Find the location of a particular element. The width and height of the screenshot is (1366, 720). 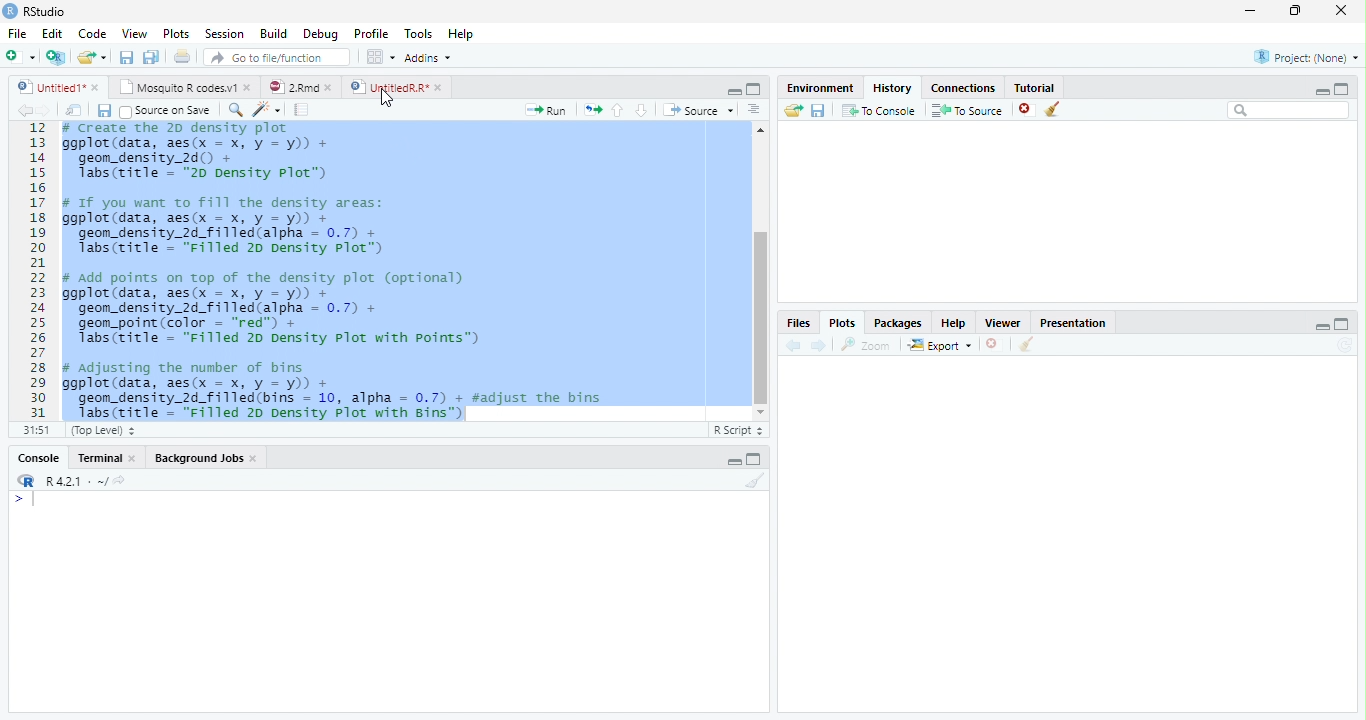

minimize is located at coordinates (735, 92).